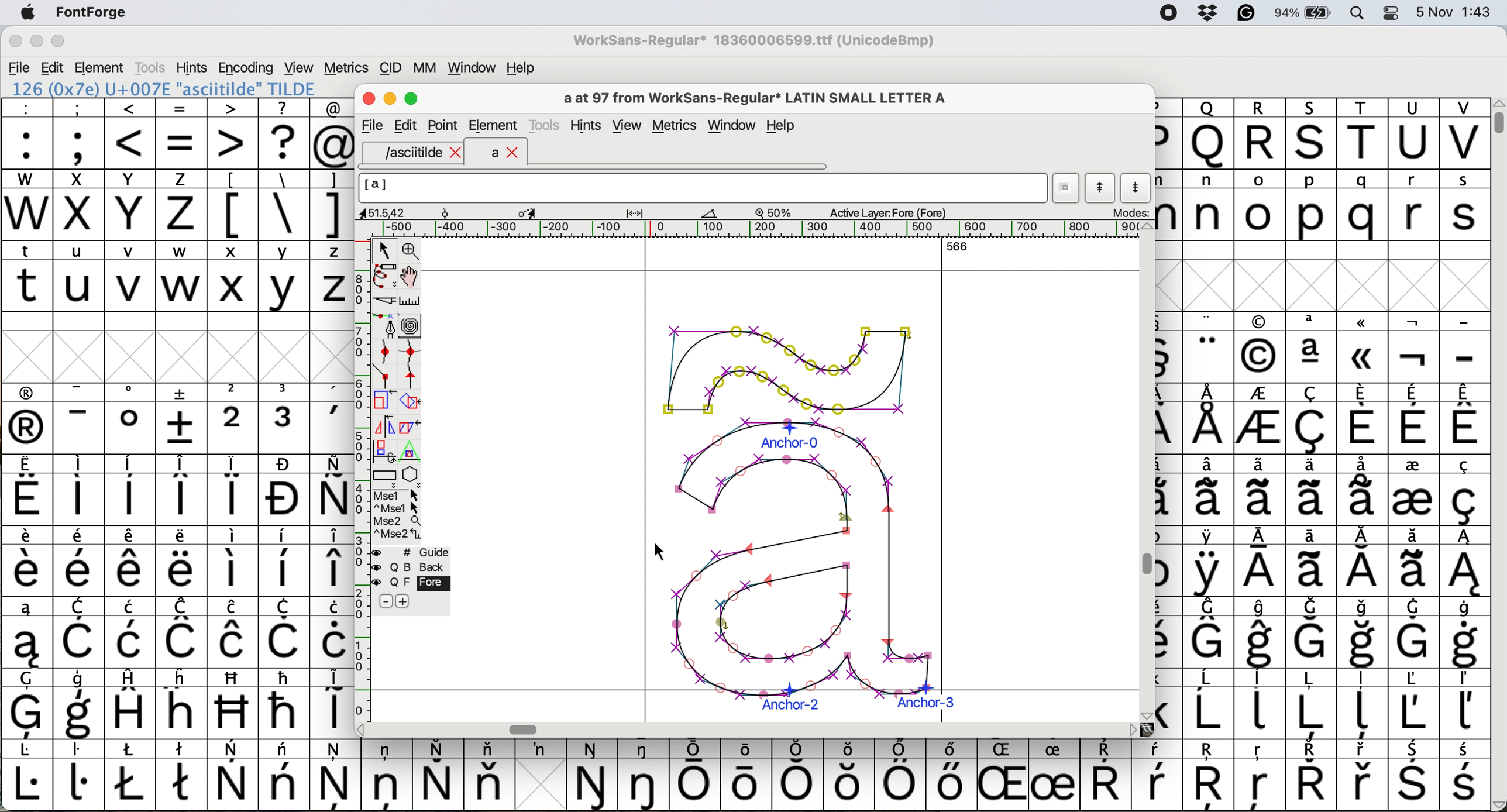  Describe the element at coordinates (1100, 188) in the screenshot. I see `show previous letter` at that location.